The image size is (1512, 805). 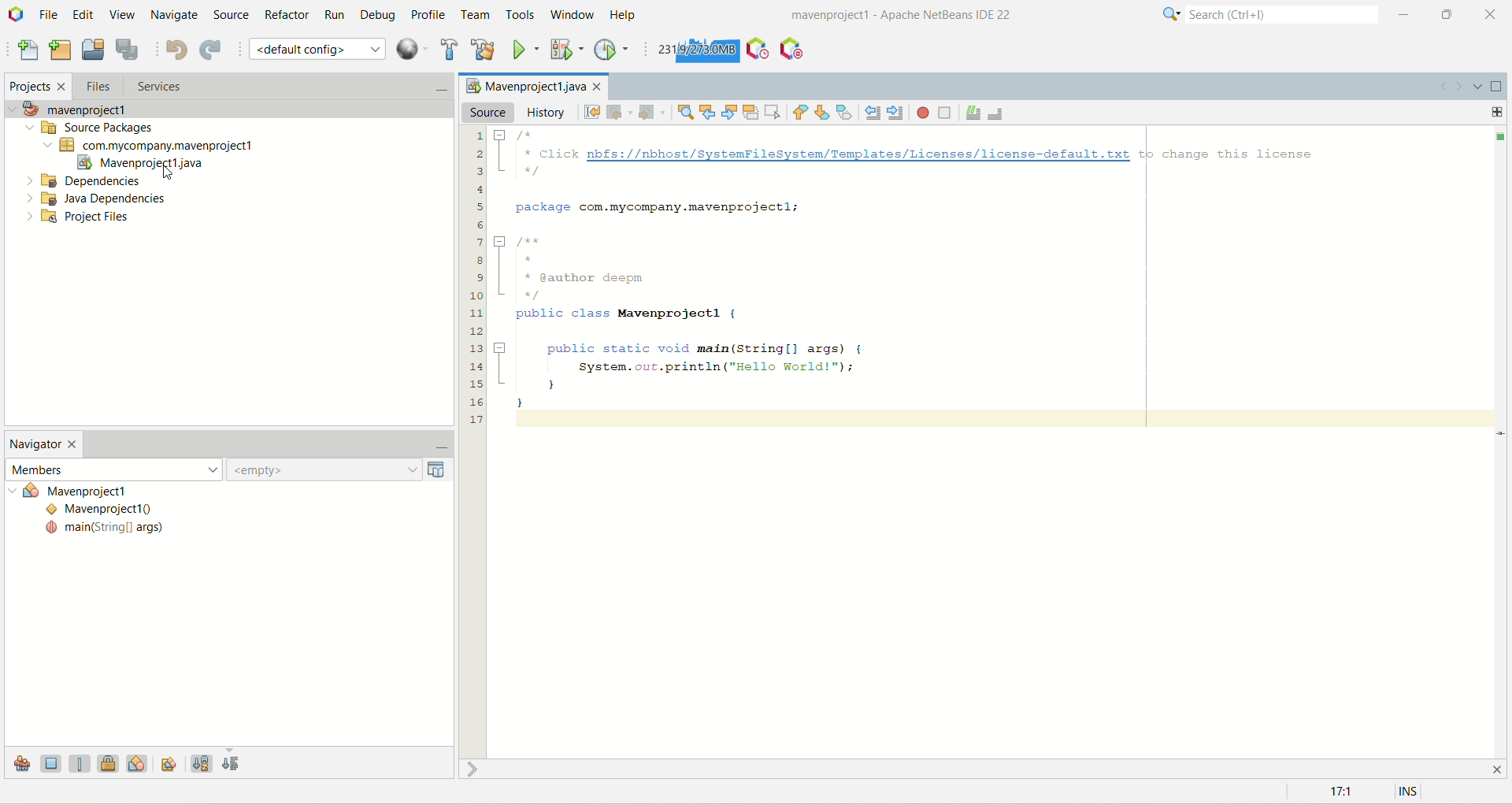 I want to click on default configuration, so click(x=317, y=48).